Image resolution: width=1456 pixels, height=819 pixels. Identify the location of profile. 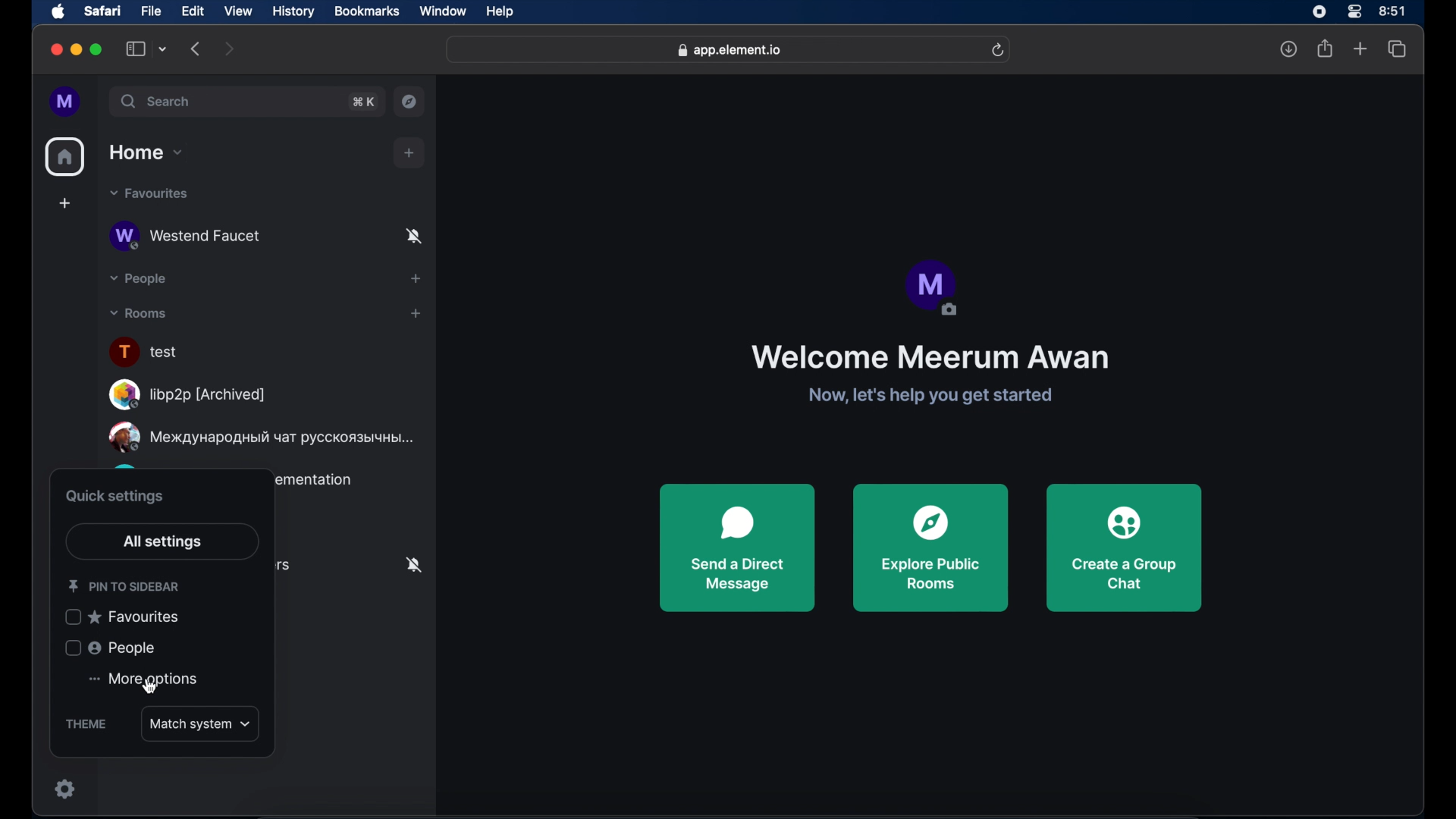
(64, 102).